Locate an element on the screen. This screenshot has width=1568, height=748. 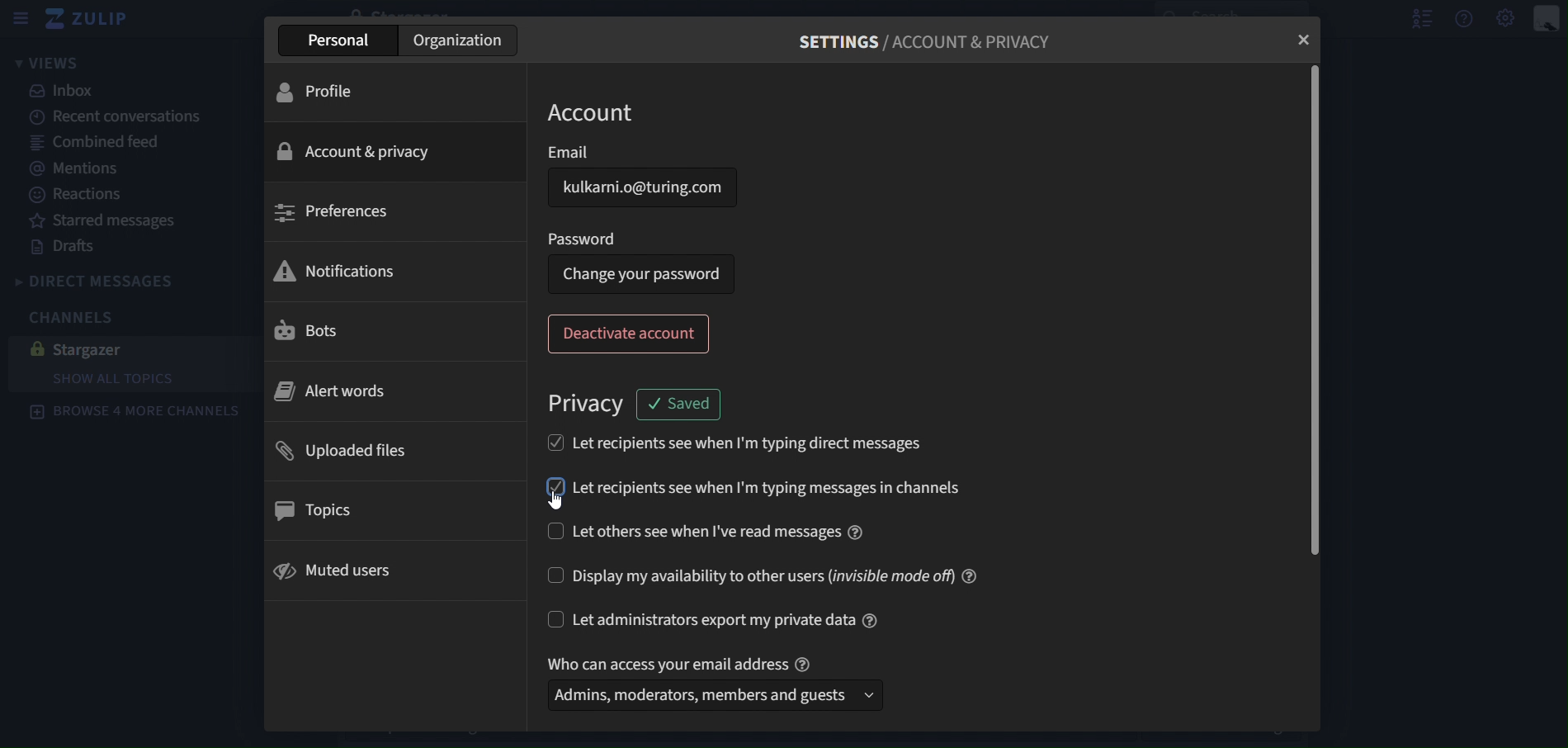
get help is located at coordinates (1465, 19).